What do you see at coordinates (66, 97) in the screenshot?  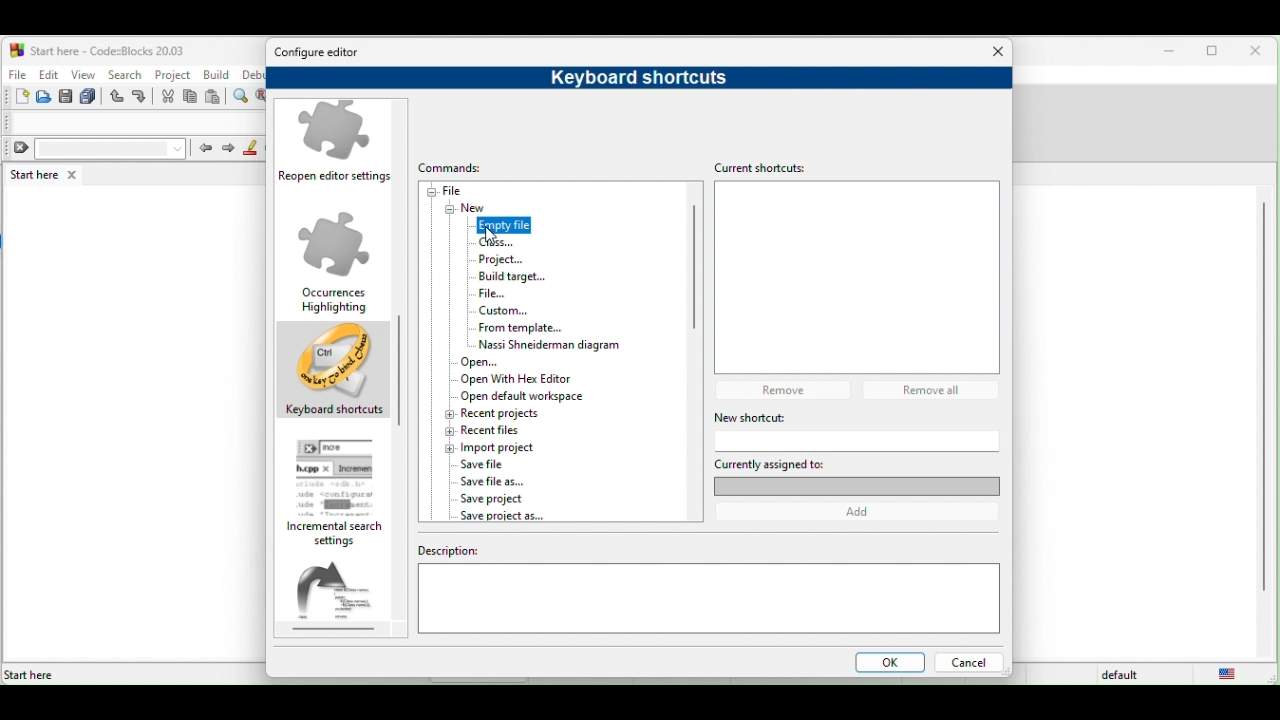 I see `save` at bounding box center [66, 97].